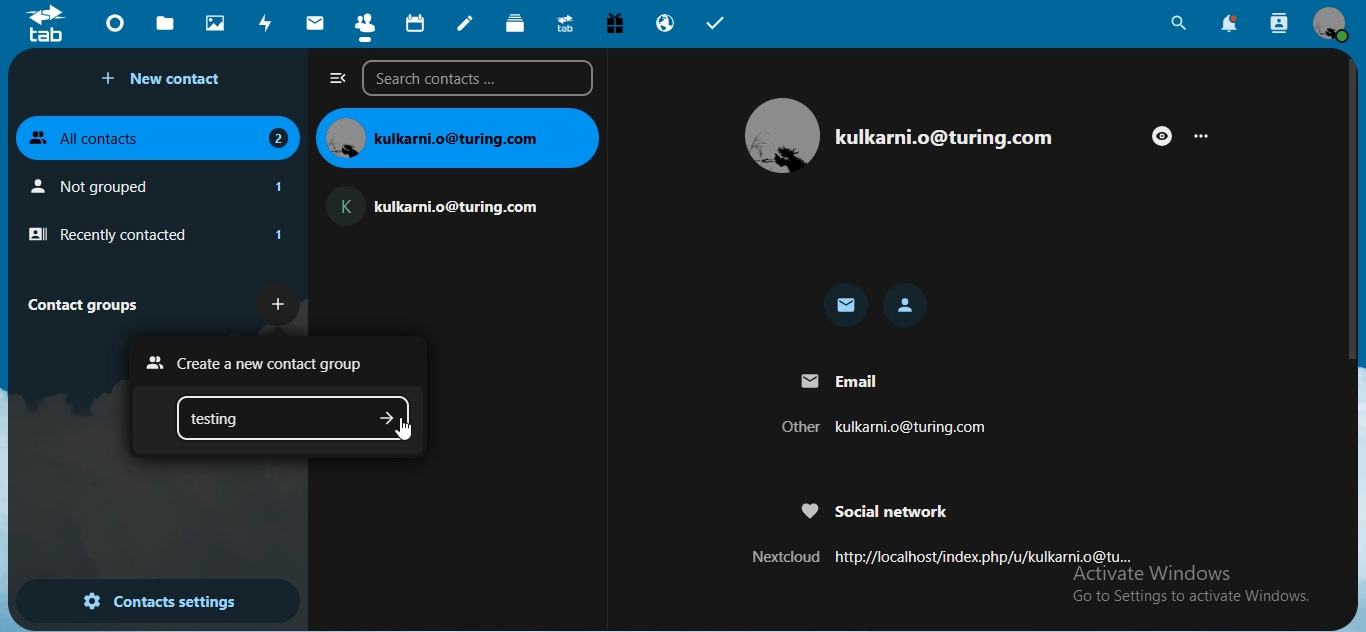 The width and height of the screenshot is (1366, 632). What do you see at coordinates (1354, 209) in the screenshot?
I see `scrollbar` at bounding box center [1354, 209].